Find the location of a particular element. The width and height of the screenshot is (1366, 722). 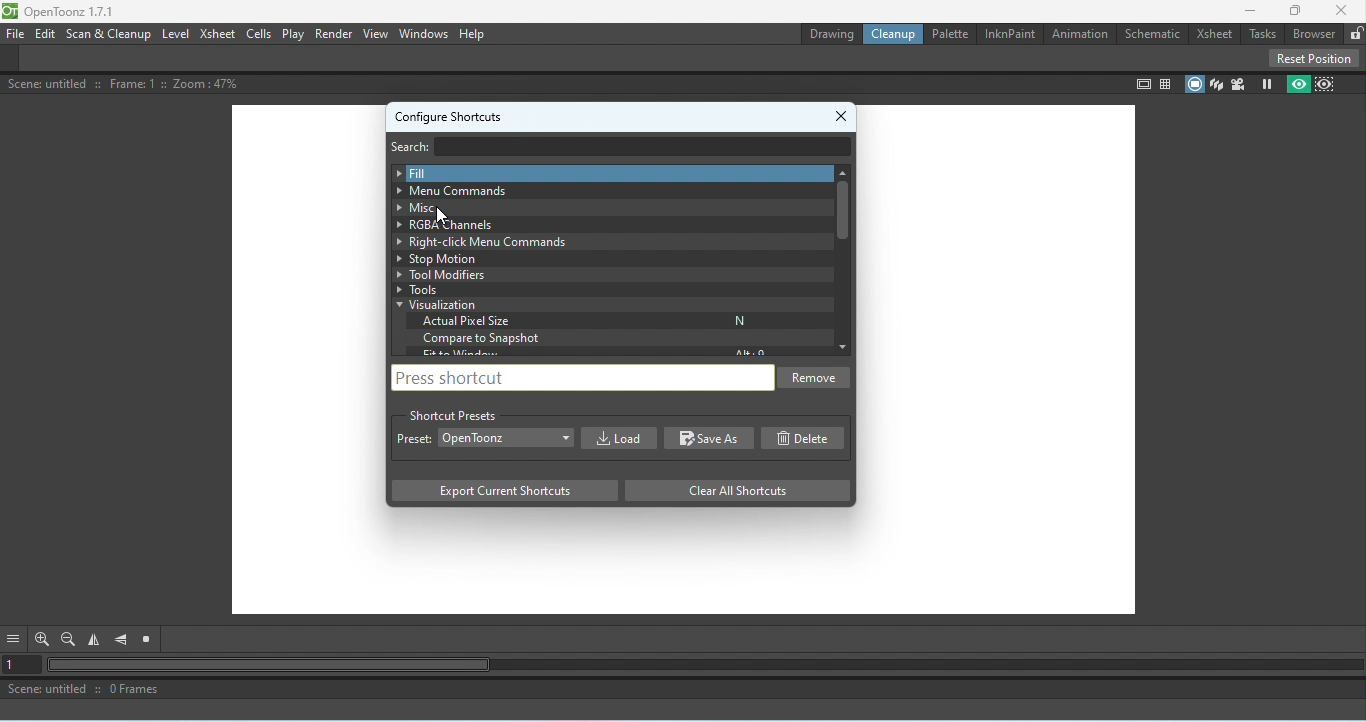

3D view is located at coordinates (1217, 84).